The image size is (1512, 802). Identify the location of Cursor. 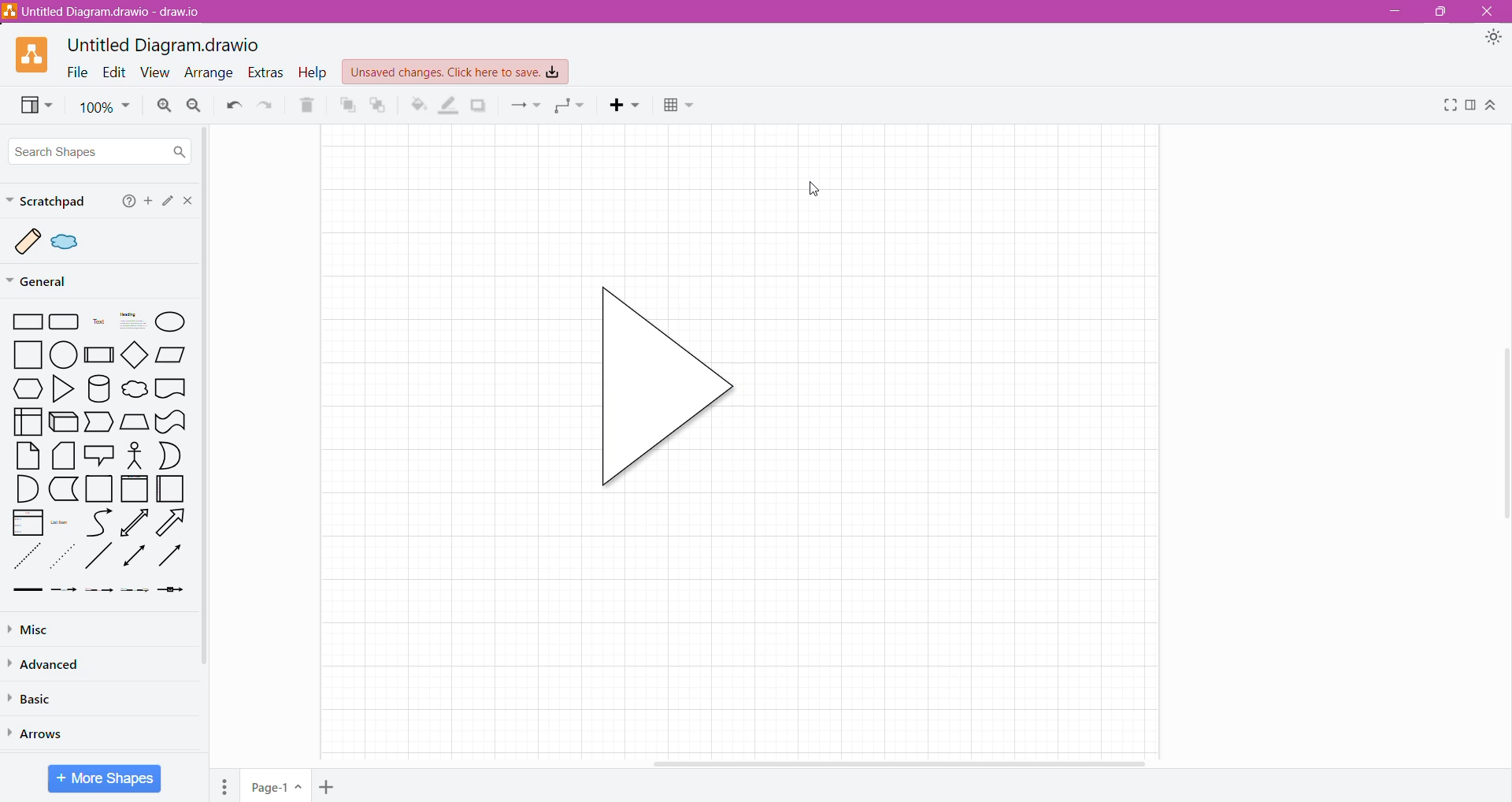
(803, 196).